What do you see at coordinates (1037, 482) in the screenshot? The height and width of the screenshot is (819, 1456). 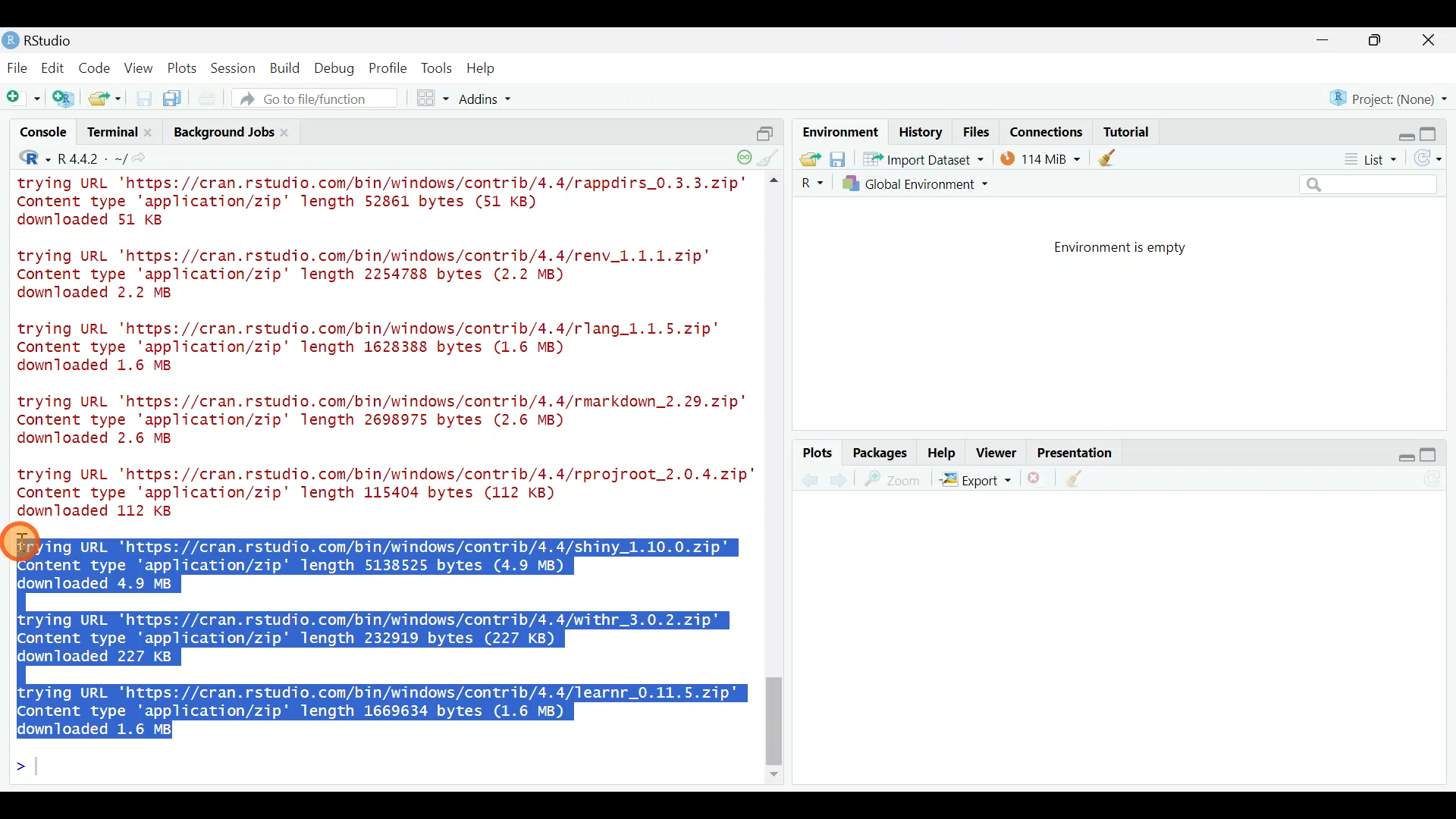 I see `remove the current plot` at bounding box center [1037, 482].